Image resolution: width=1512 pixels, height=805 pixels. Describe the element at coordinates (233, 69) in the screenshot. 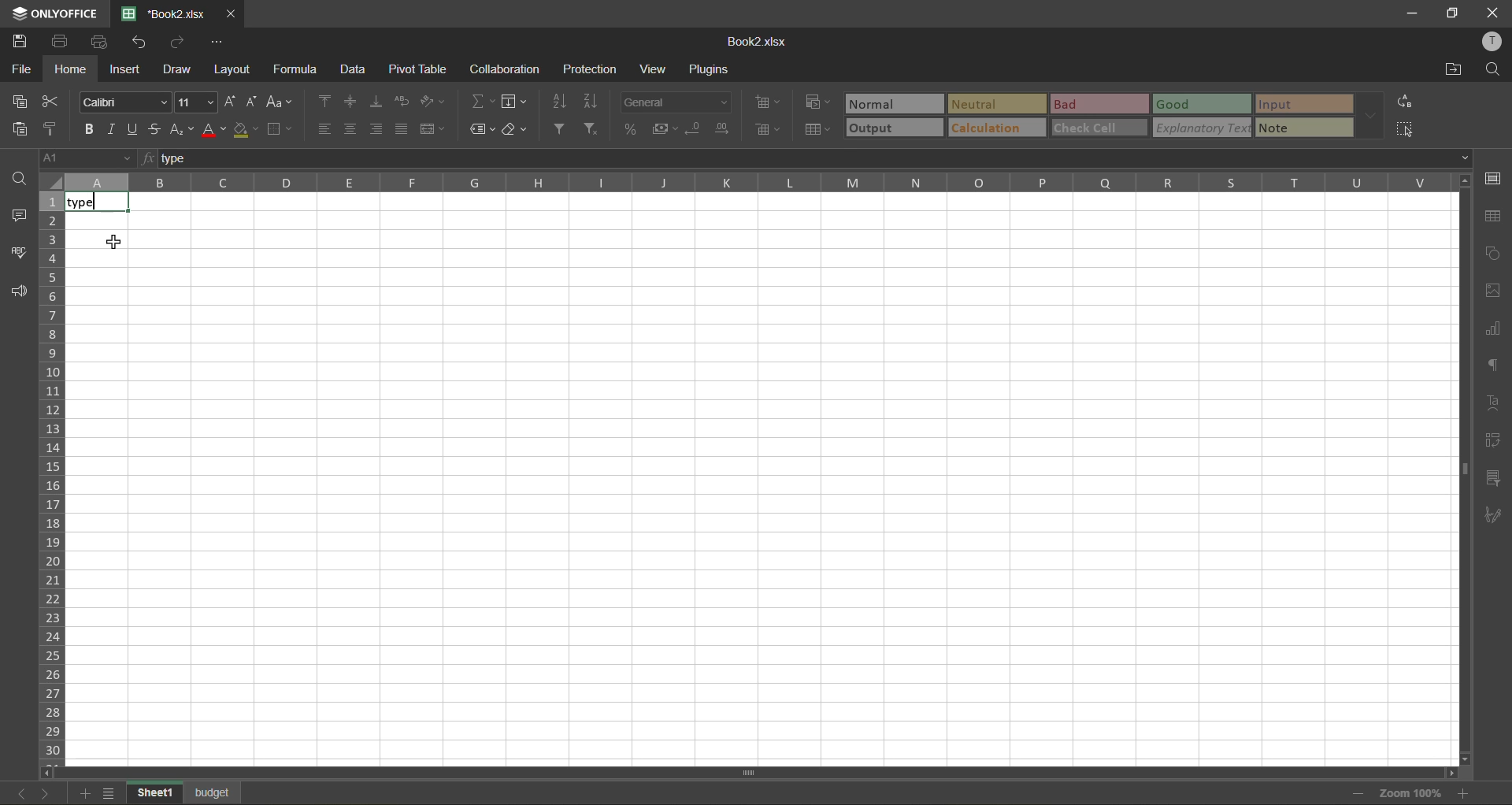

I see `layout` at that location.